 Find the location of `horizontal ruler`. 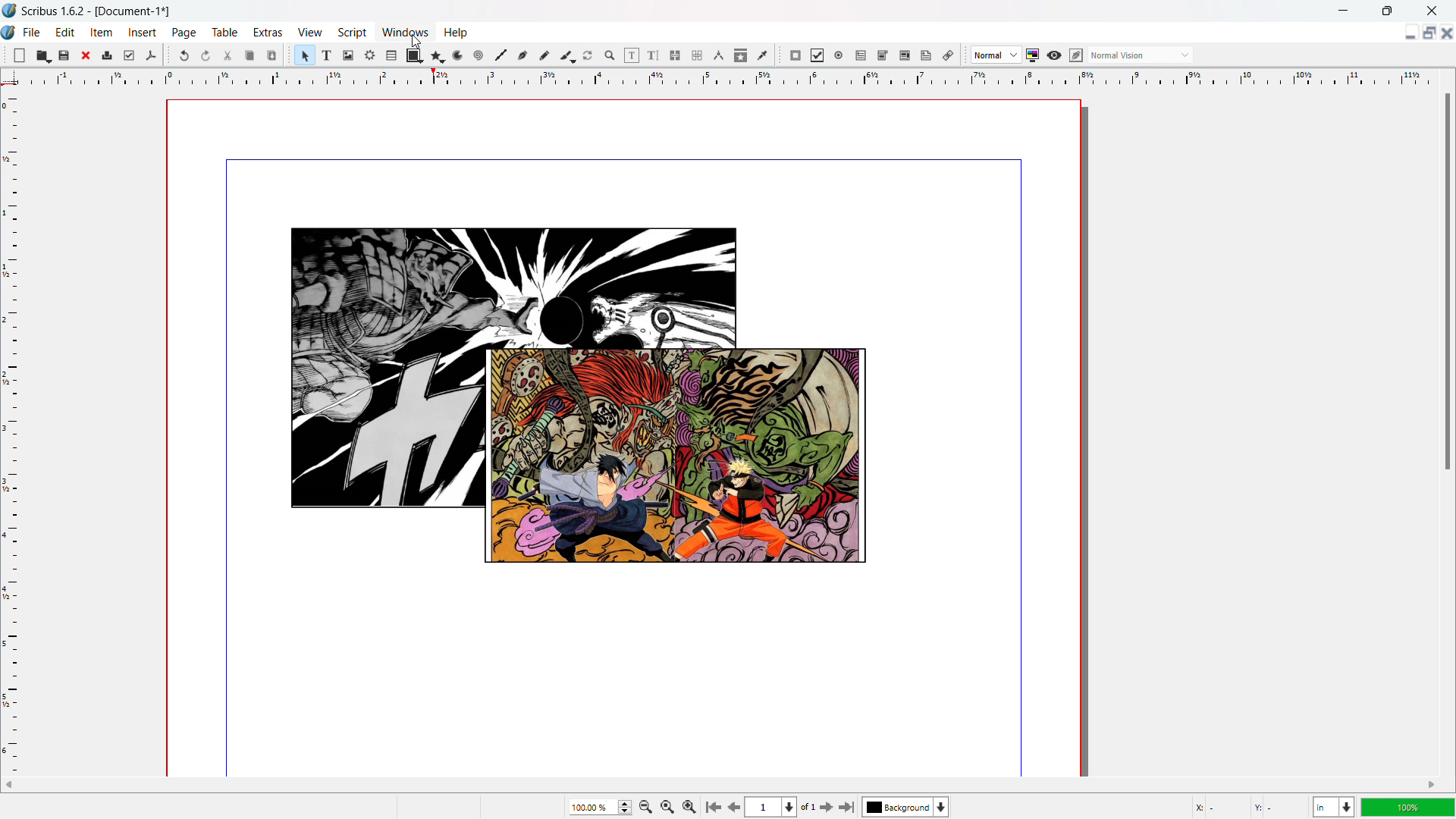

horizontal ruler is located at coordinates (727, 77).